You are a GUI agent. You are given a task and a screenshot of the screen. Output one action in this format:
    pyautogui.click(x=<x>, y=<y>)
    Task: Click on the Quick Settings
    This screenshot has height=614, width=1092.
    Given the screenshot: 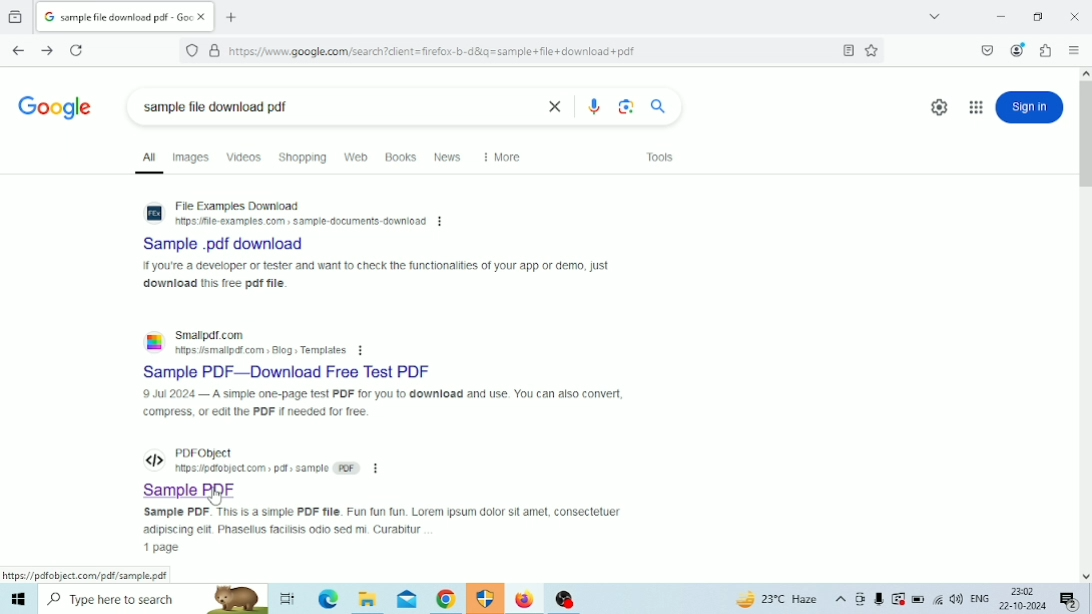 What is the action you would take?
    pyautogui.click(x=939, y=107)
    